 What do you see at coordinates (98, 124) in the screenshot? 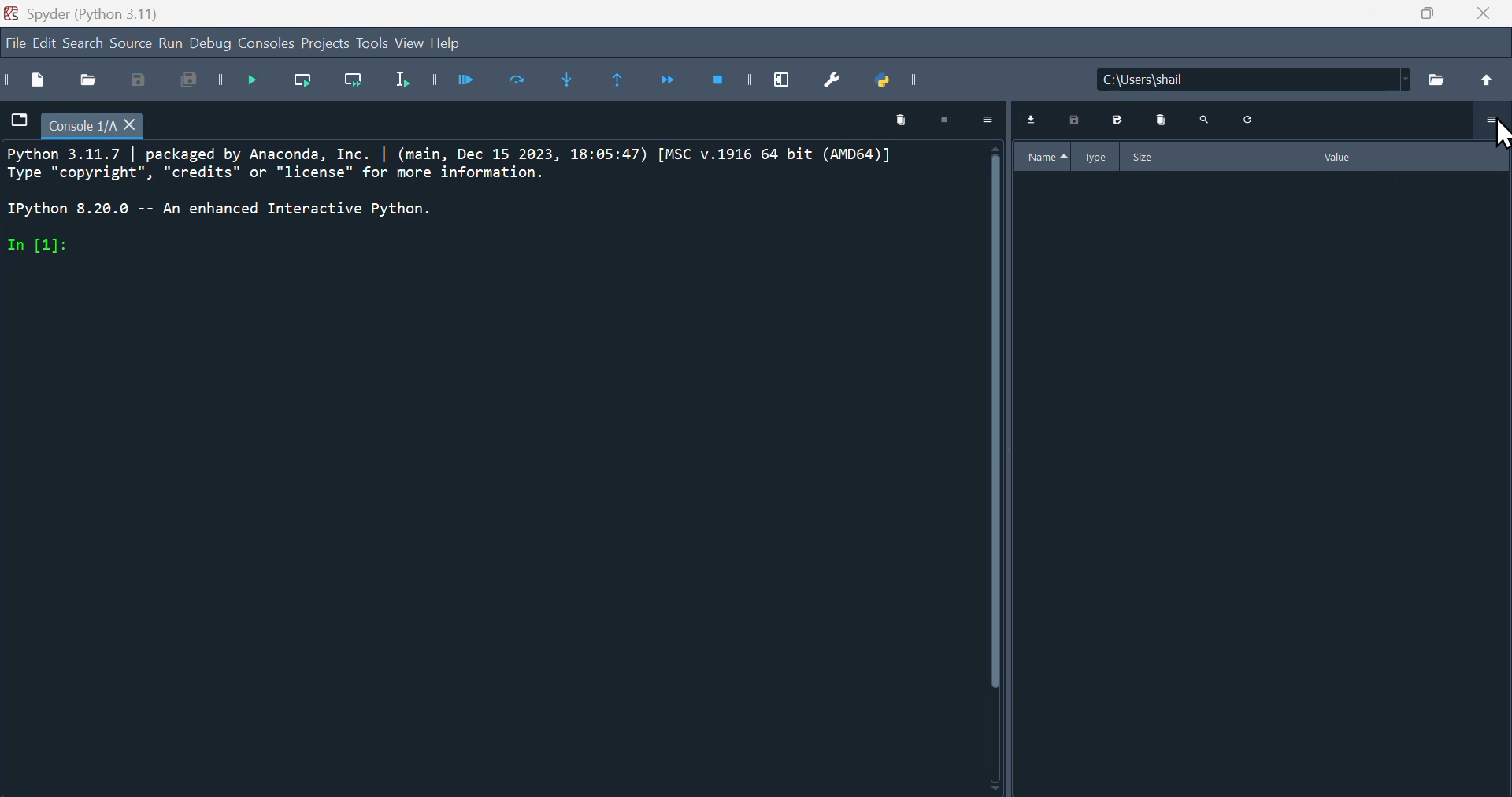
I see `filename` at bounding box center [98, 124].